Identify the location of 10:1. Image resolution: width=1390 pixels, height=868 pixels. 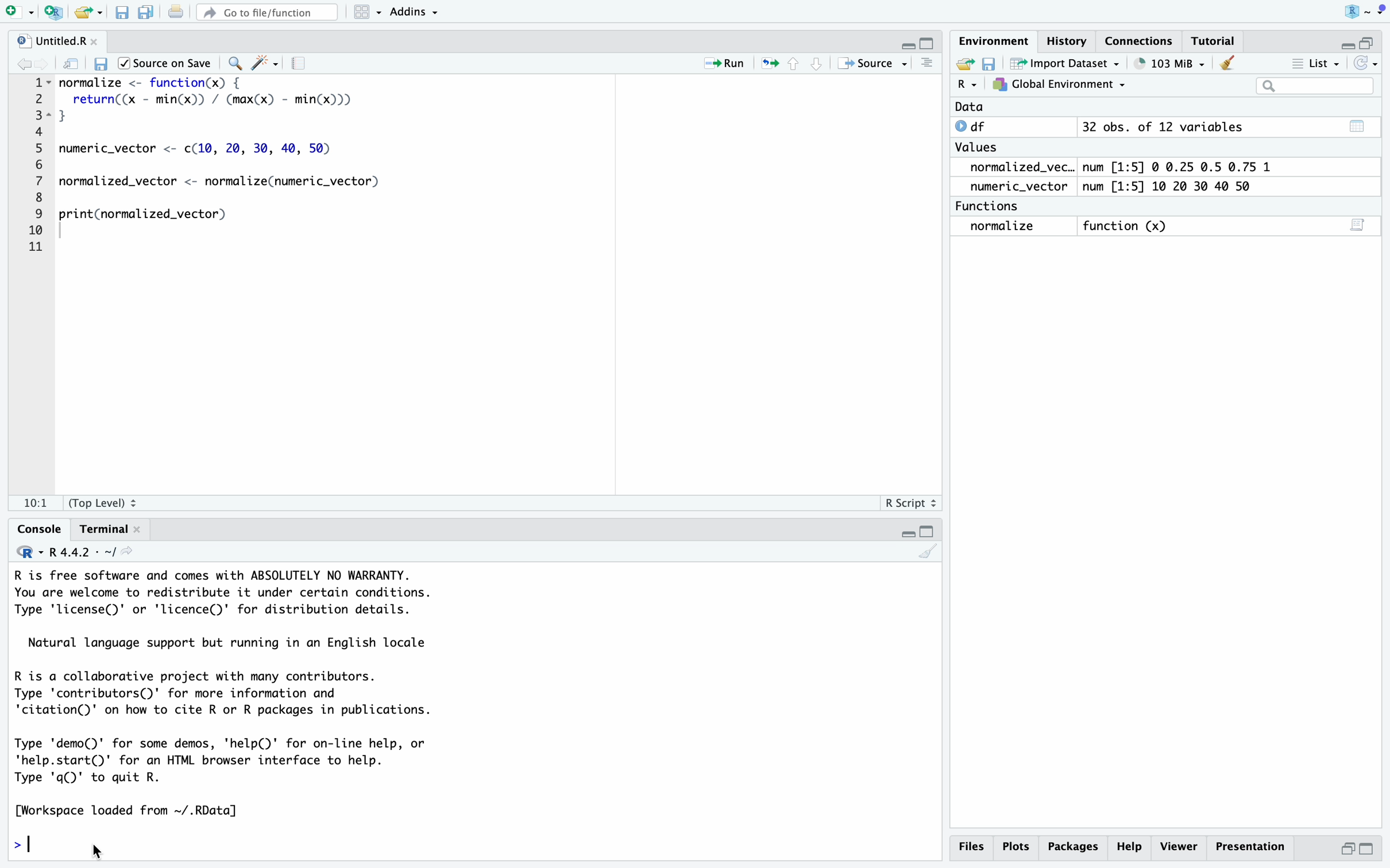
(35, 499).